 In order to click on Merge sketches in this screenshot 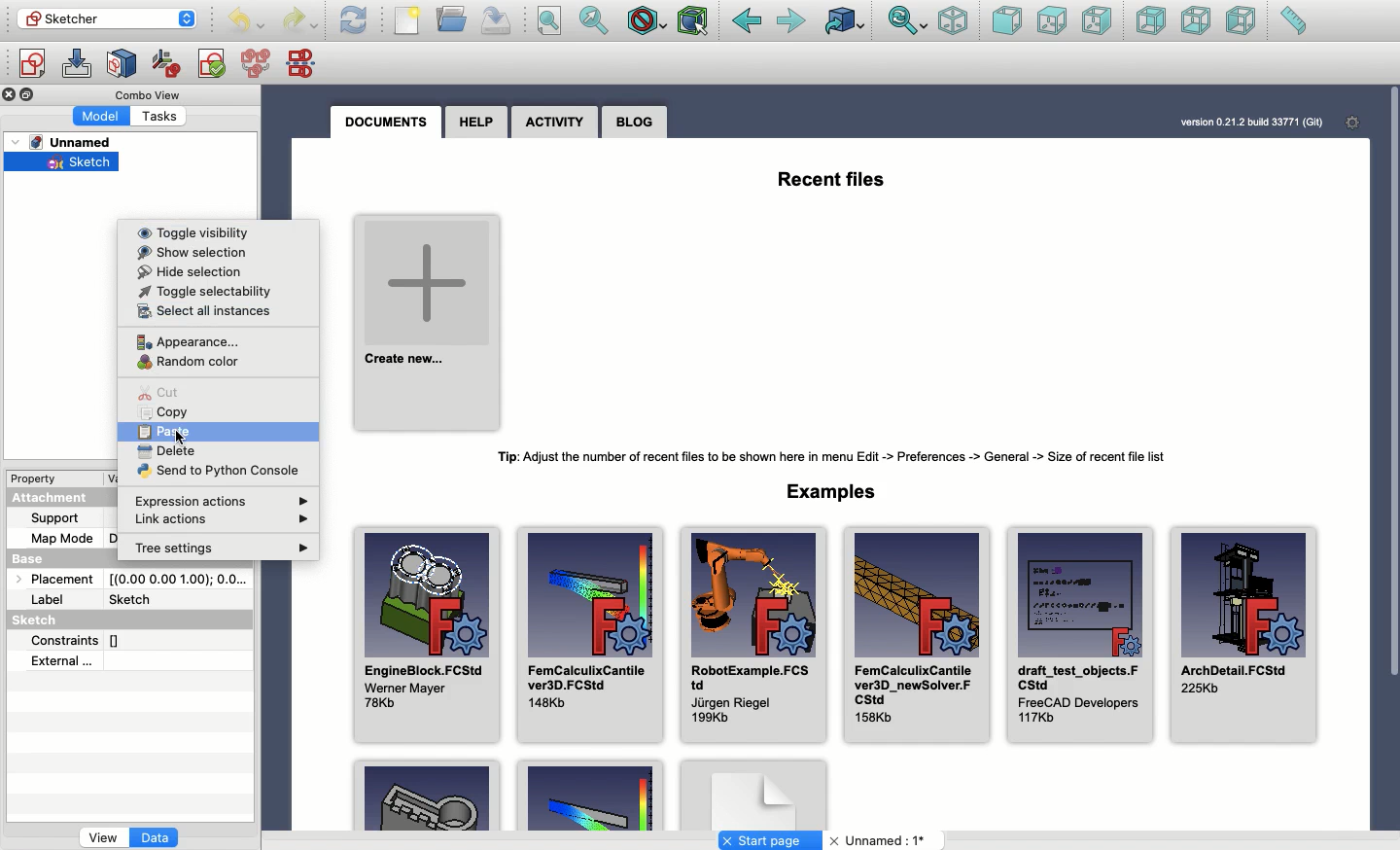, I will do `click(259, 64)`.